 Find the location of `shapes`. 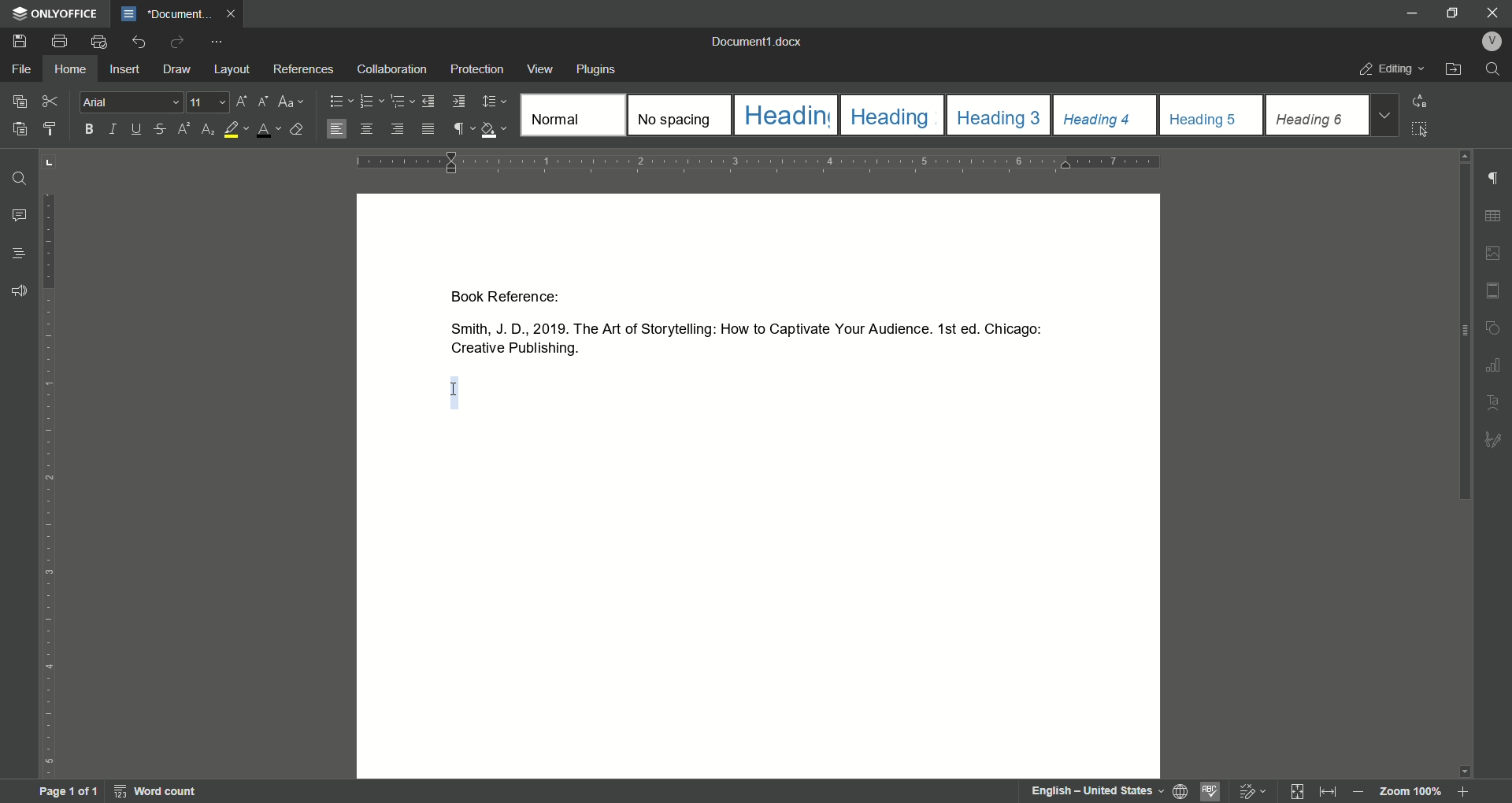

shapes is located at coordinates (1496, 325).